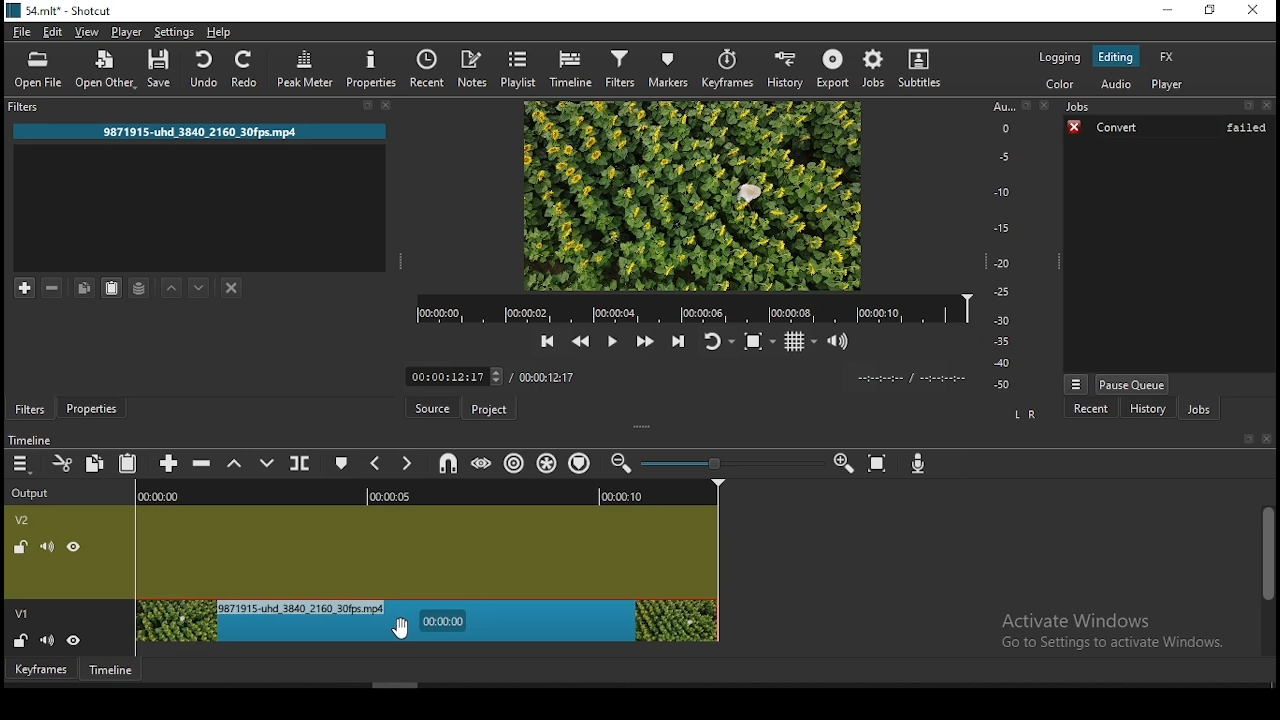 The height and width of the screenshot is (720, 1280). What do you see at coordinates (267, 461) in the screenshot?
I see `overwrite` at bounding box center [267, 461].